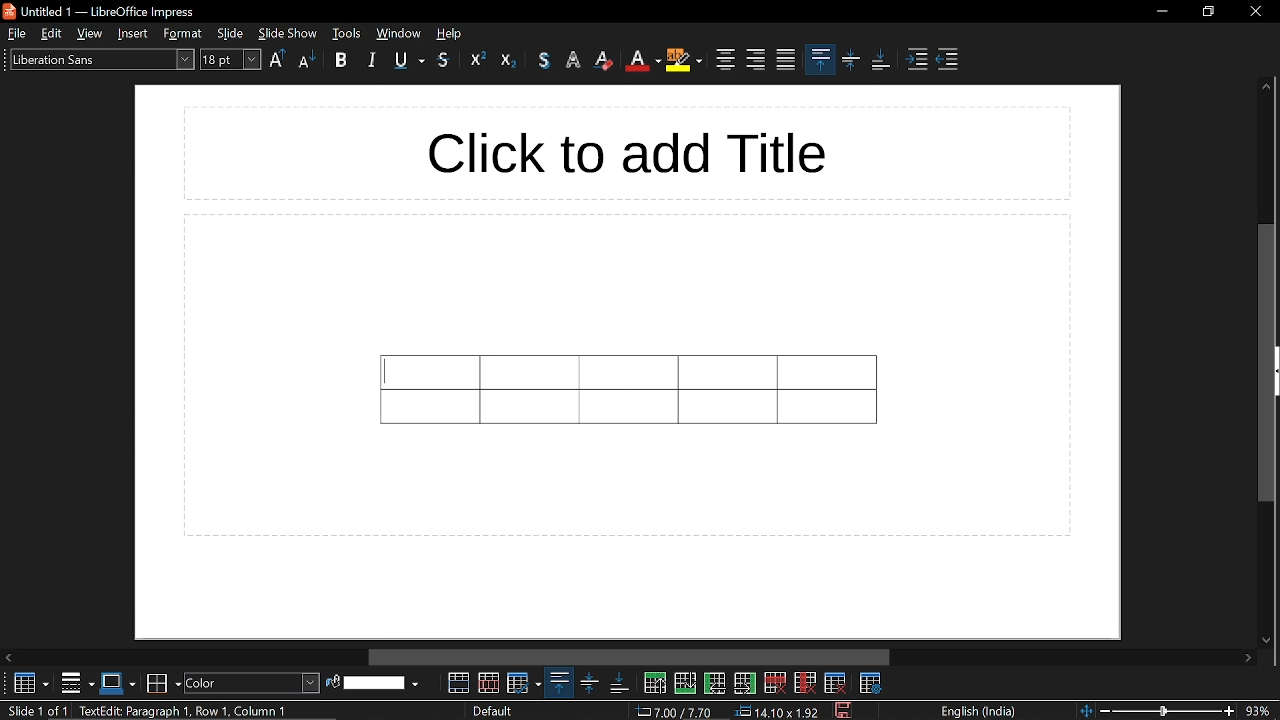  Describe the element at coordinates (163, 681) in the screenshot. I see `border color` at that location.